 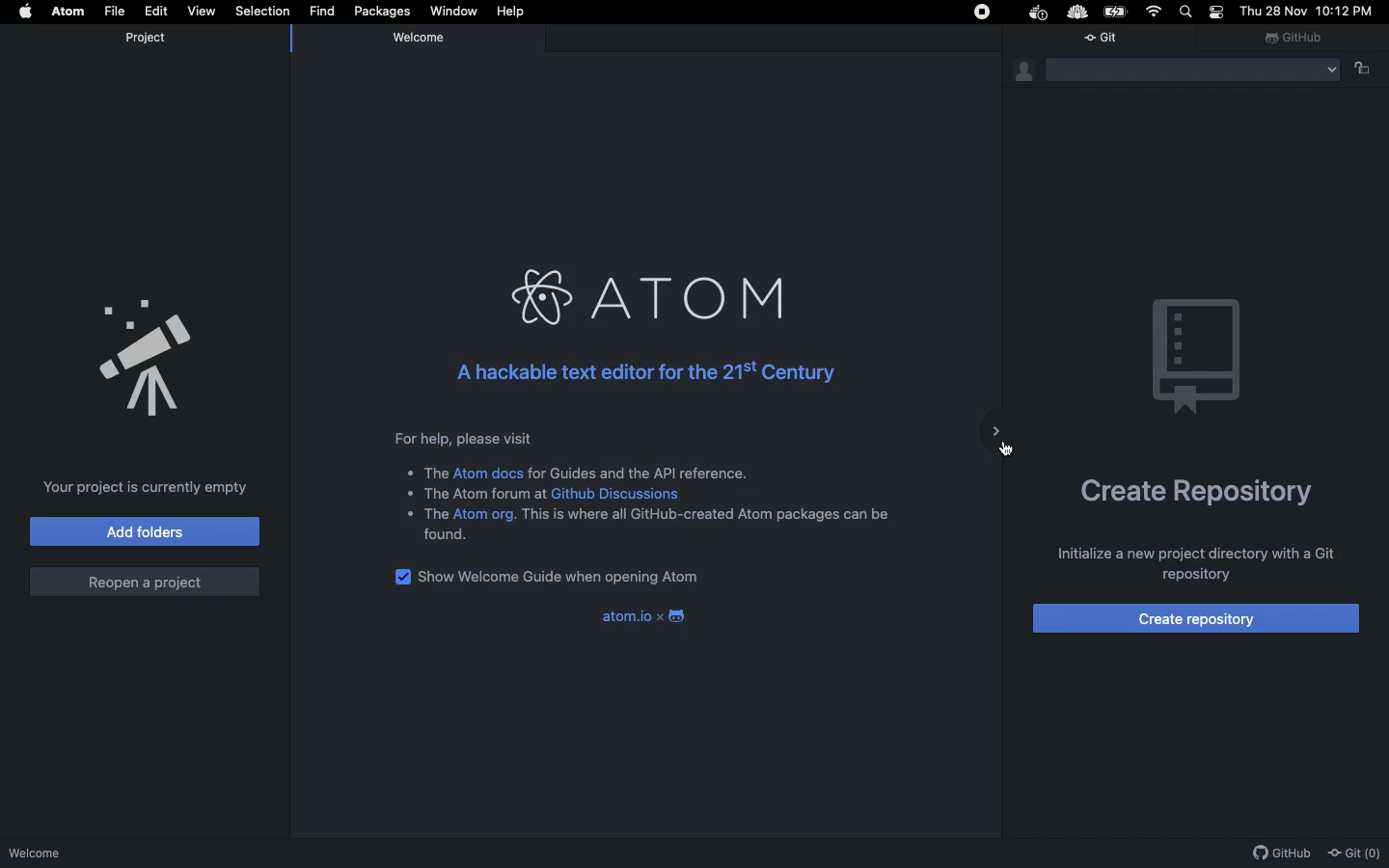 What do you see at coordinates (68, 12) in the screenshot?
I see `Atom` at bounding box center [68, 12].